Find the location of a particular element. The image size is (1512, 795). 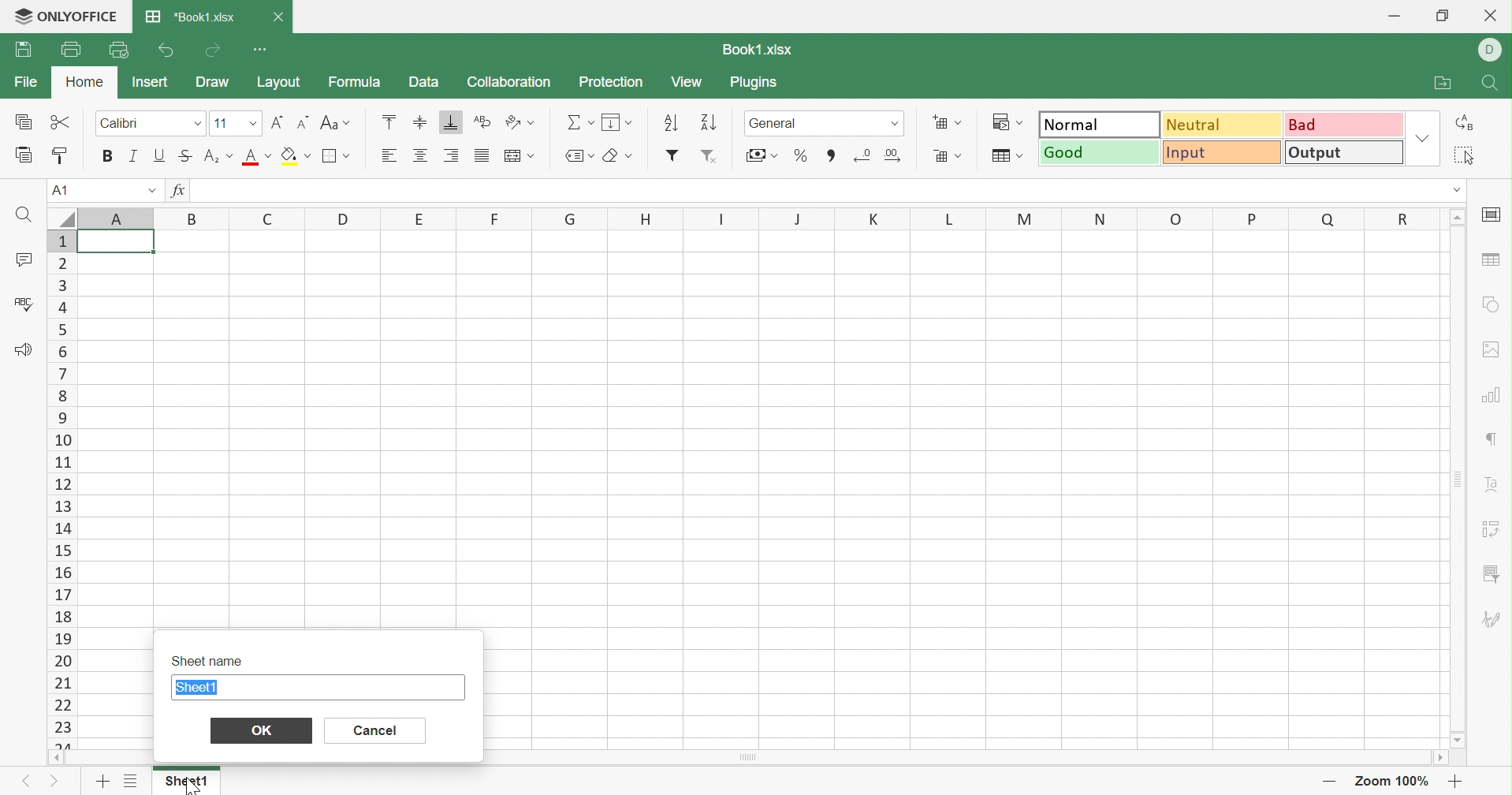

List of sheets is located at coordinates (128, 781).